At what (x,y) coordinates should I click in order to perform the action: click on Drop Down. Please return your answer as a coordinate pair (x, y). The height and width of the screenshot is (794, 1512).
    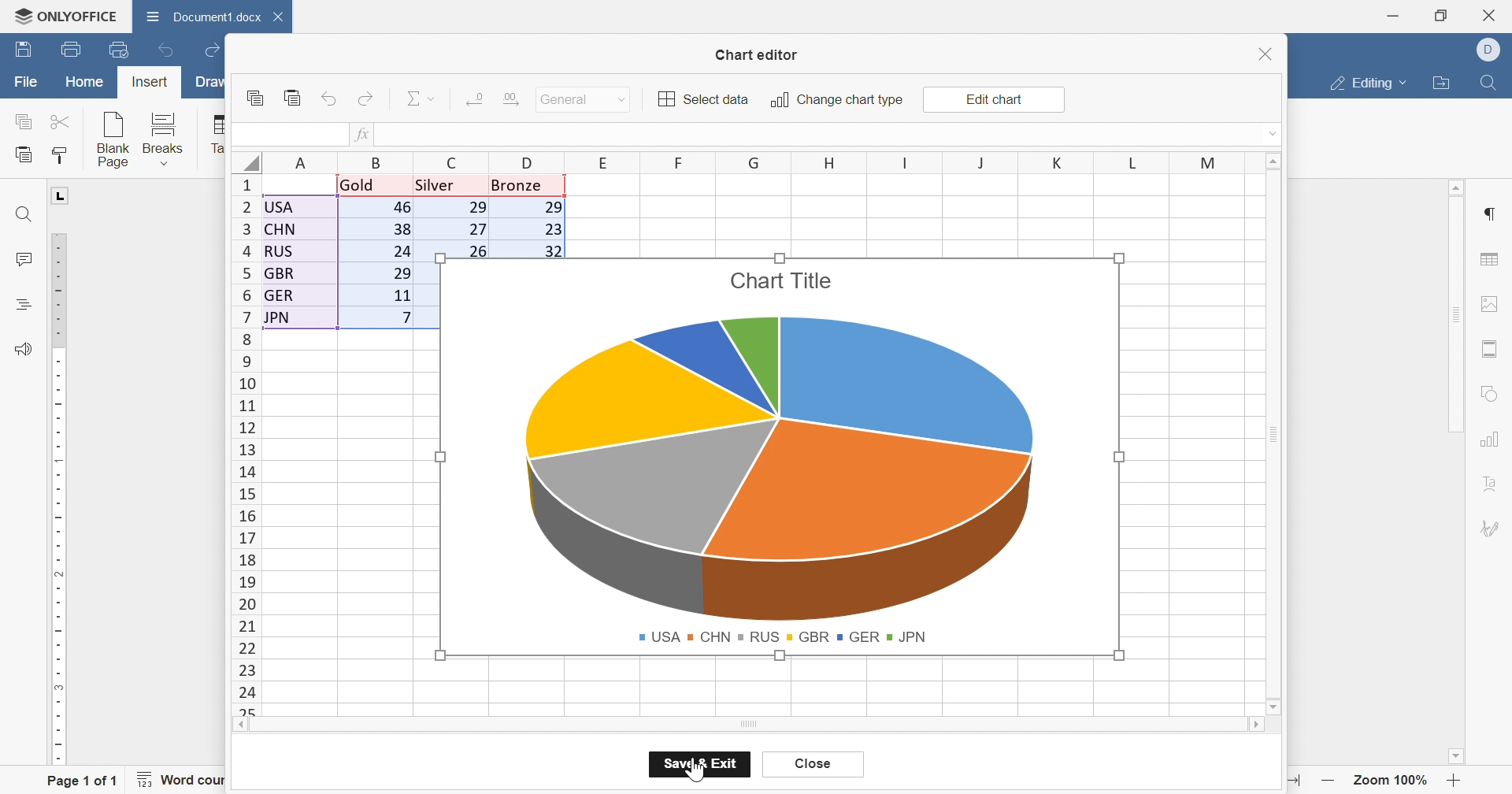
    Looking at the image, I should click on (434, 100).